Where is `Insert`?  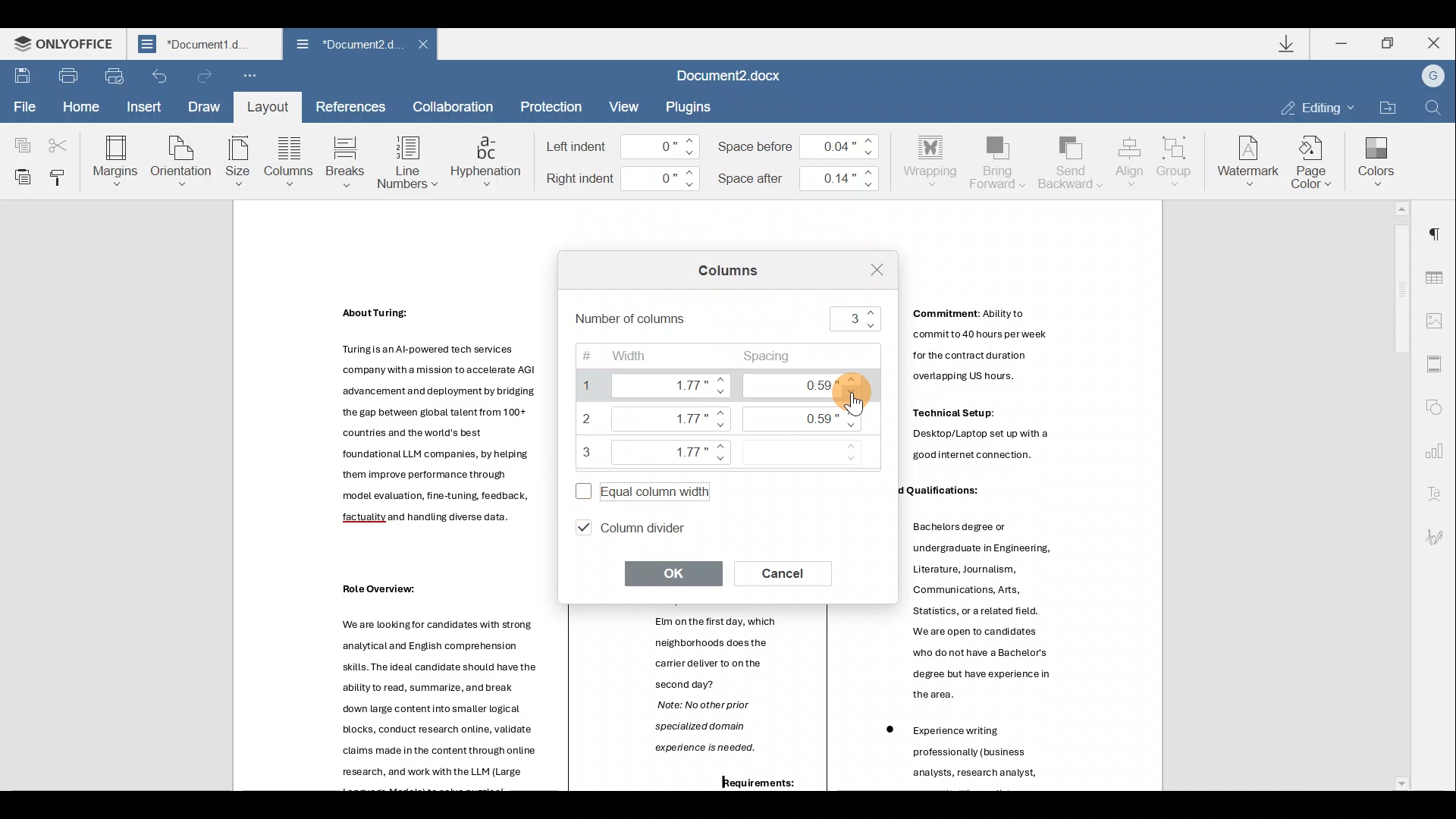 Insert is located at coordinates (141, 107).